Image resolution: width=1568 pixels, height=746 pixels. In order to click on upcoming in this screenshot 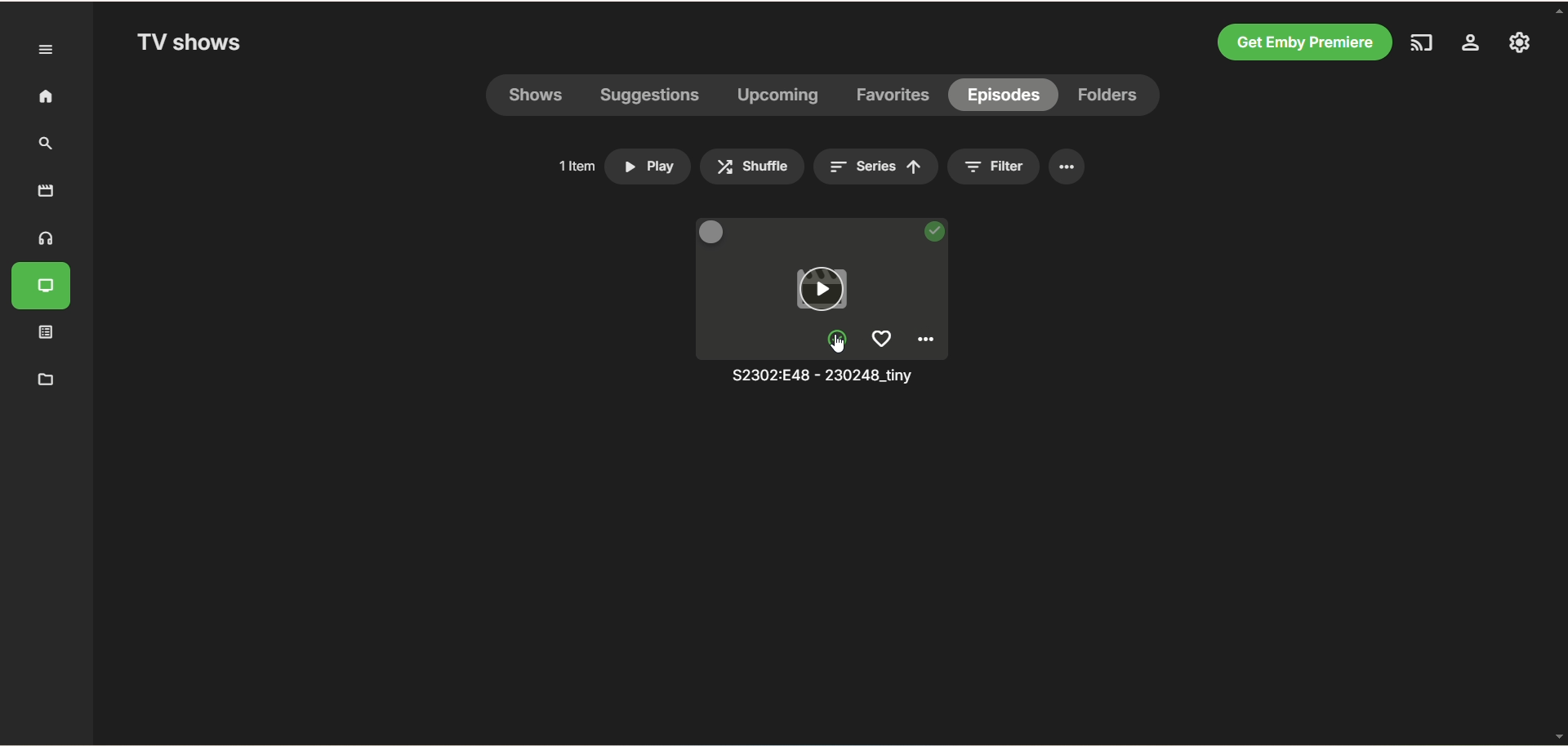, I will do `click(781, 97)`.